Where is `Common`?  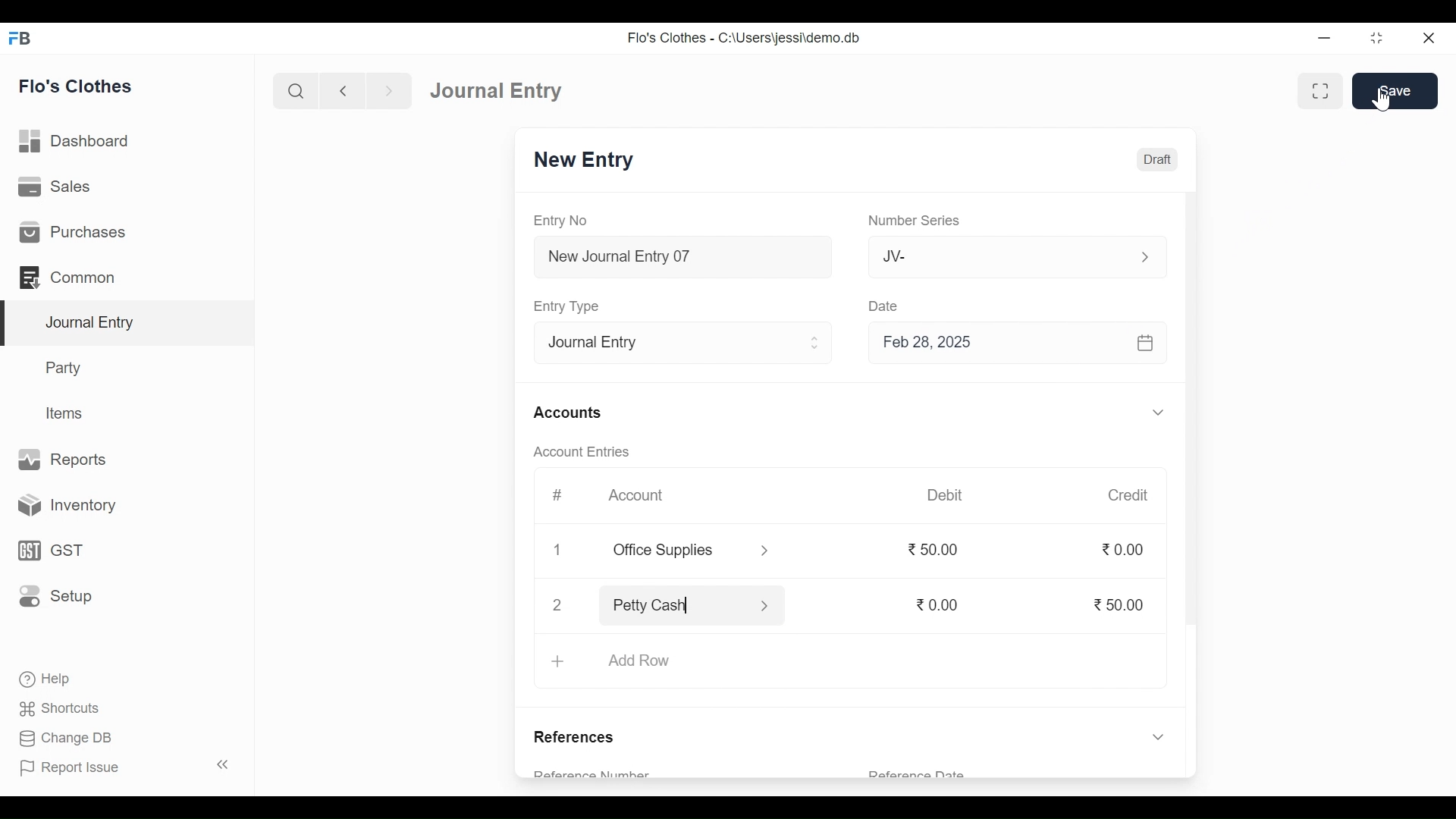
Common is located at coordinates (70, 277).